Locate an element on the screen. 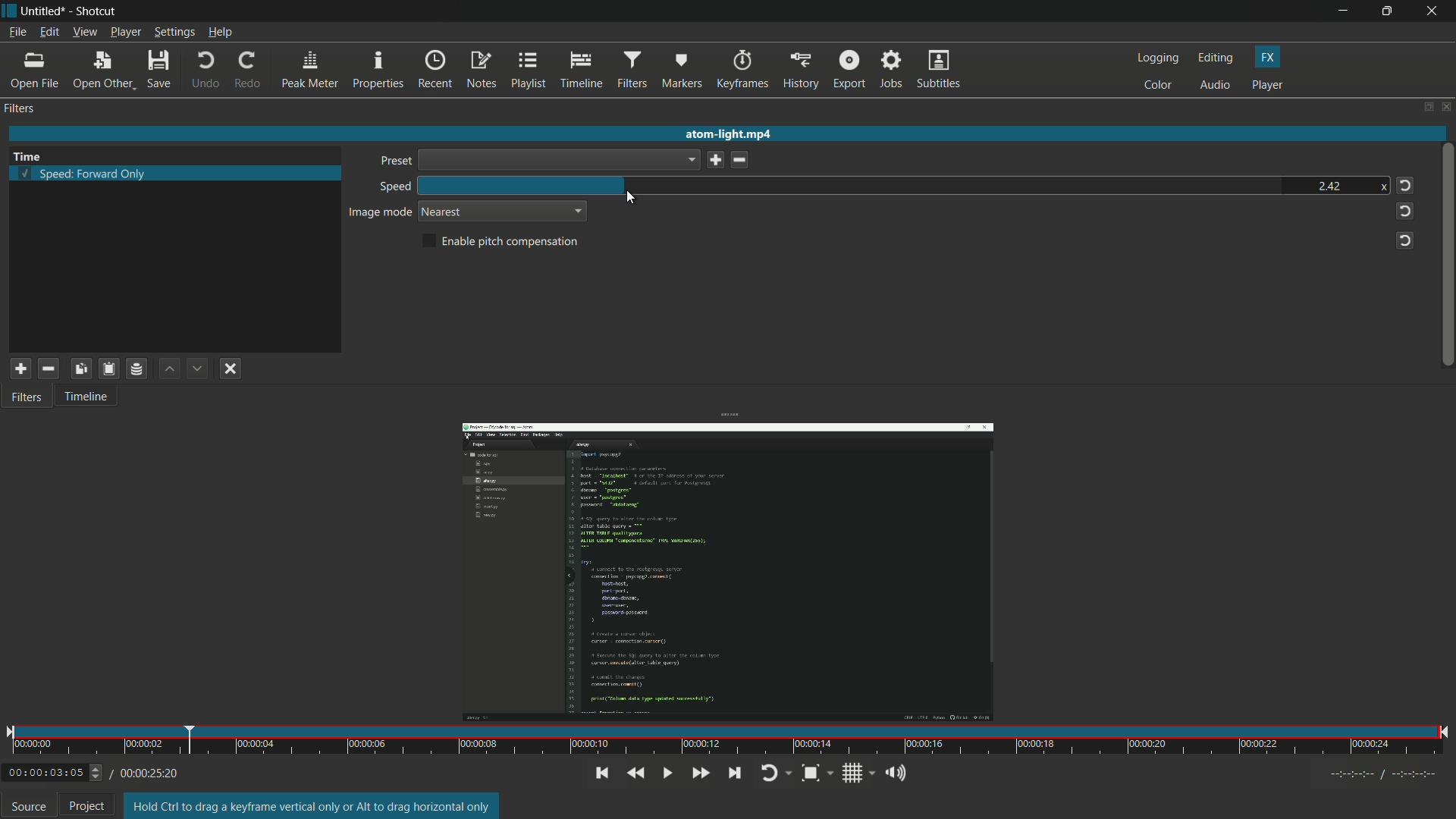  settings menu is located at coordinates (174, 33).